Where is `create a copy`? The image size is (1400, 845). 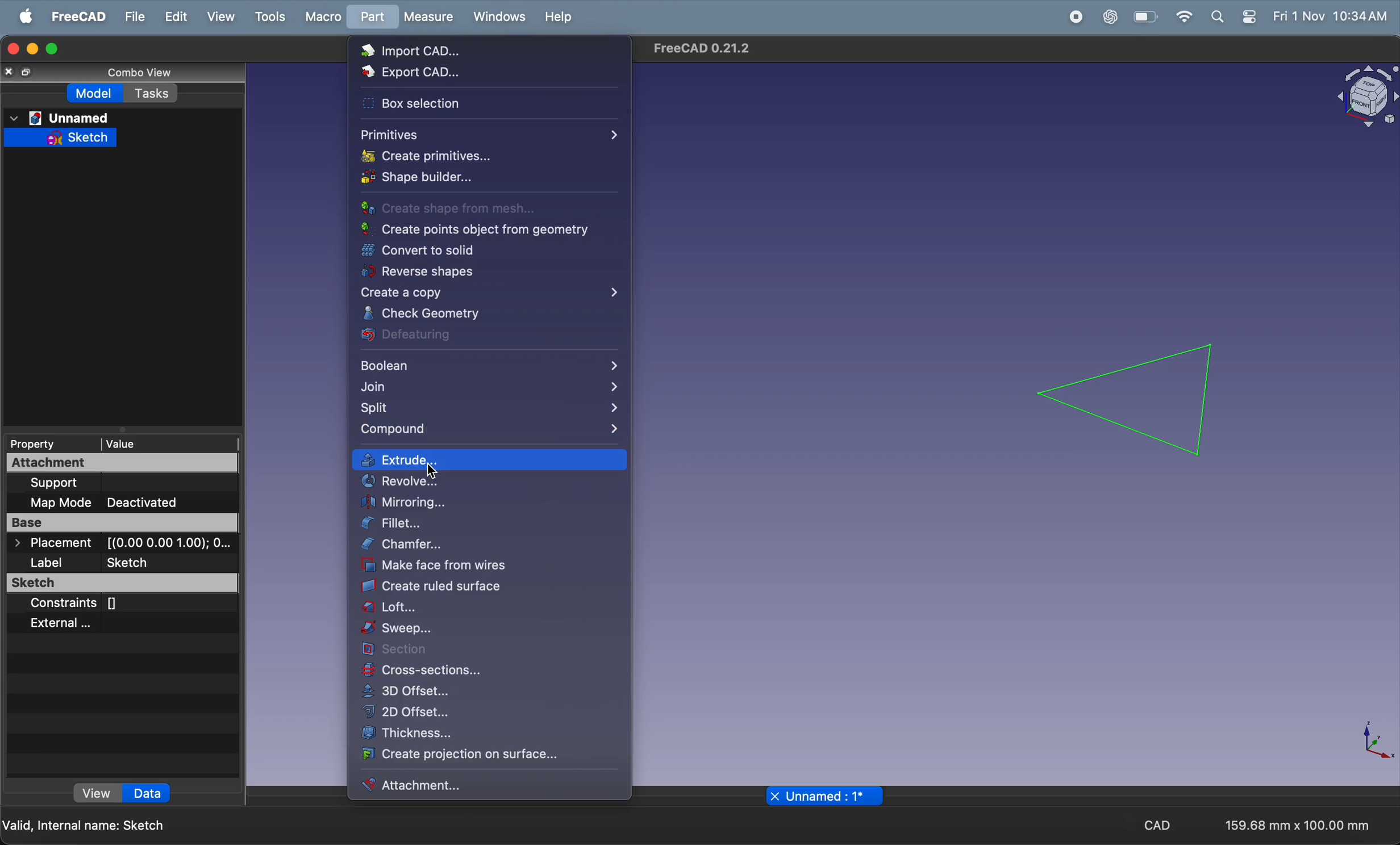
create a copy is located at coordinates (490, 292).